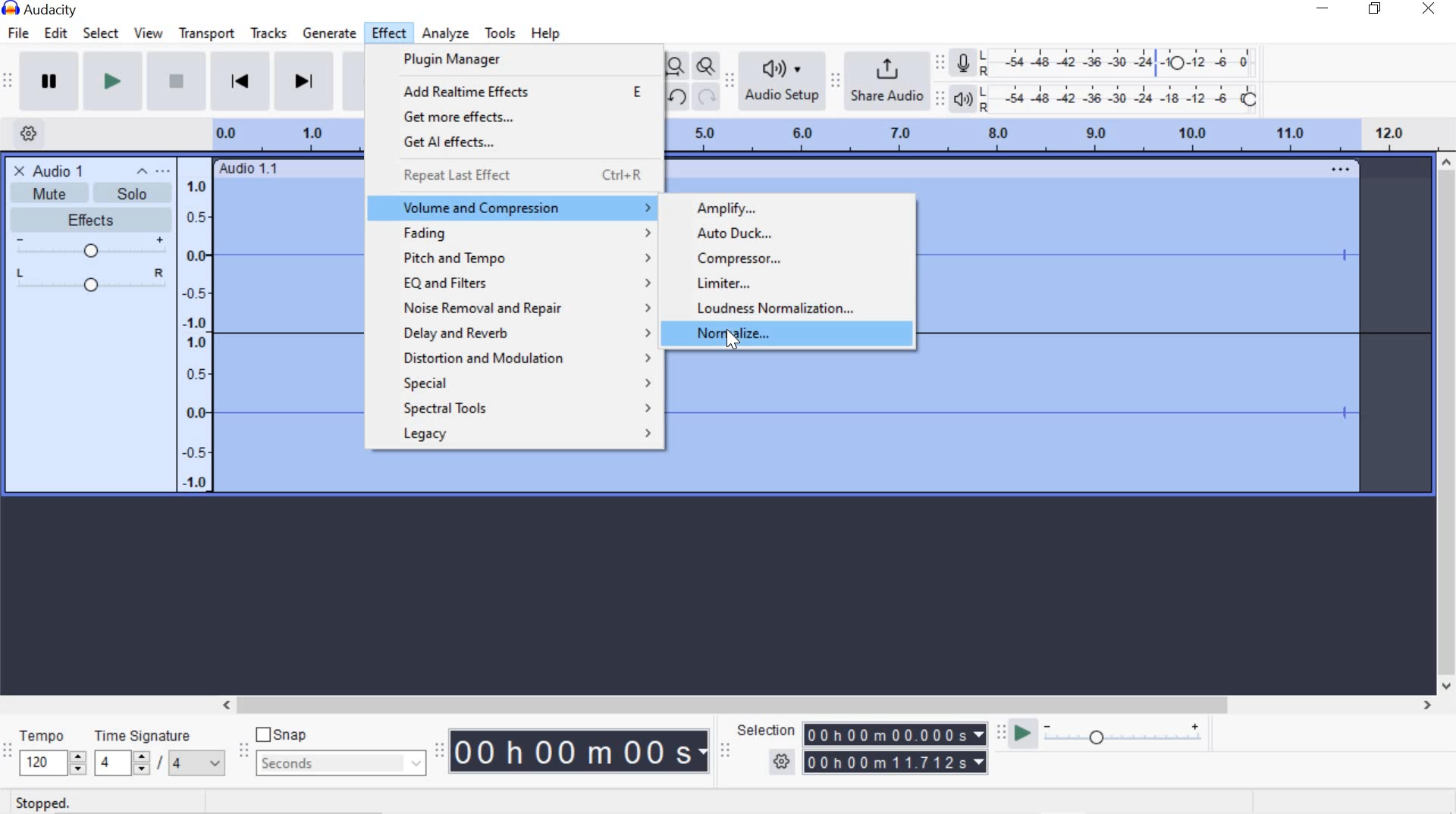  Describe the element at coordinates (520, 143) in the screenshot. I see `get Al effects` at that location.